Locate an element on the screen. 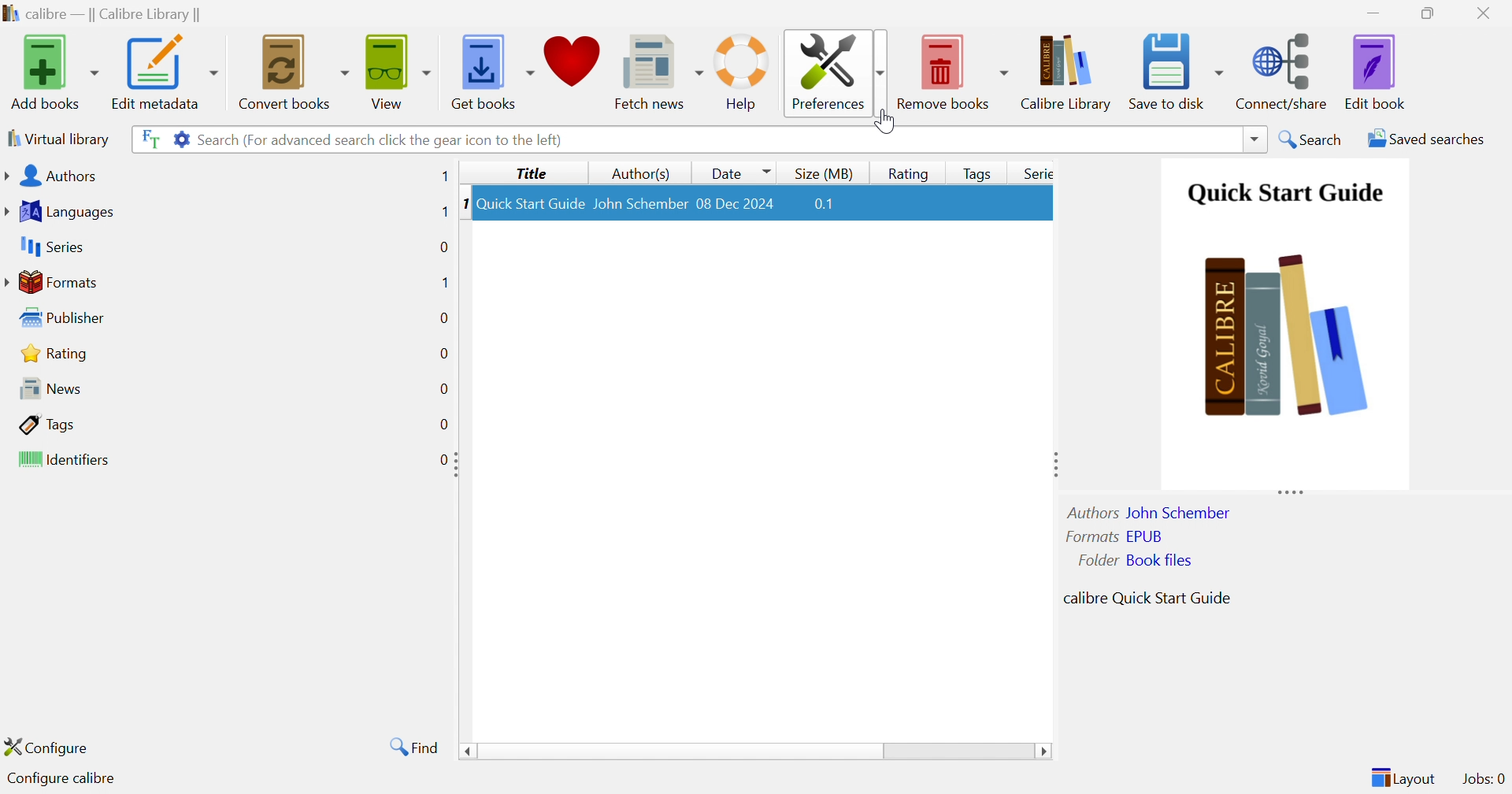  Image is located at coordinates (1286, 330).